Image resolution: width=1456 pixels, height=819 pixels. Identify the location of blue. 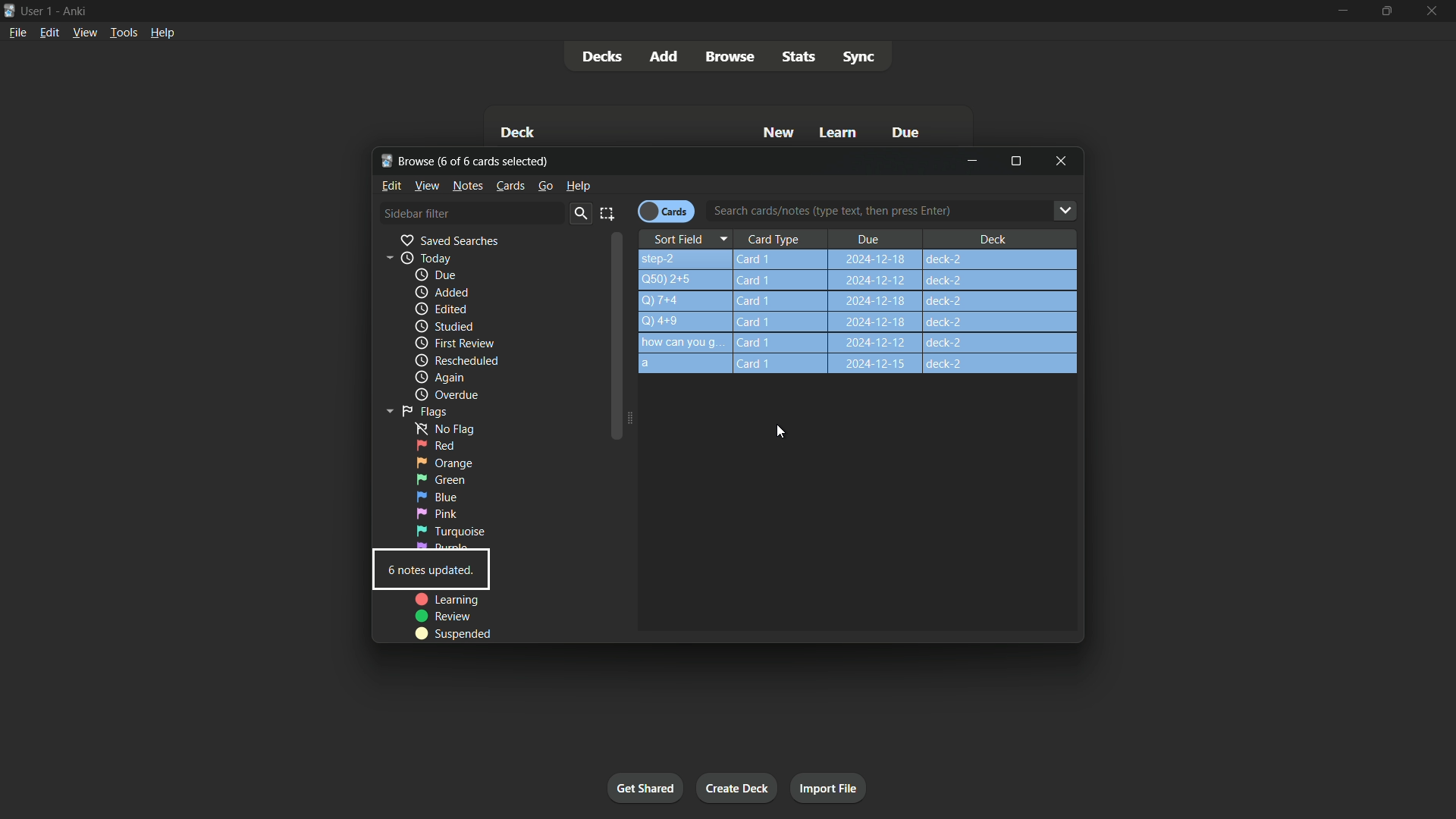
(436, 497).